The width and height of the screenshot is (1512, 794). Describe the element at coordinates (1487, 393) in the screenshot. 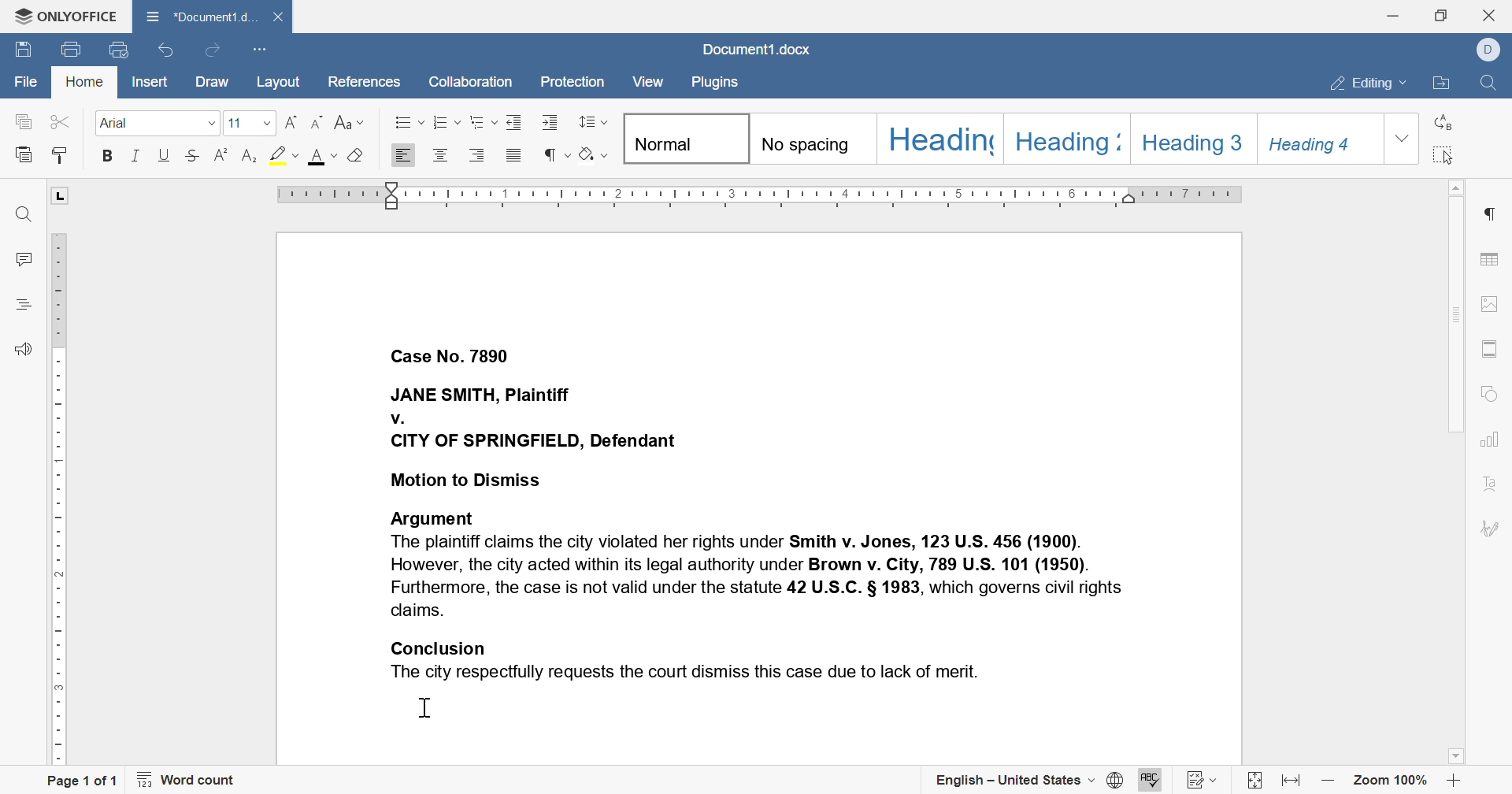

I see `shape settings` at that location.